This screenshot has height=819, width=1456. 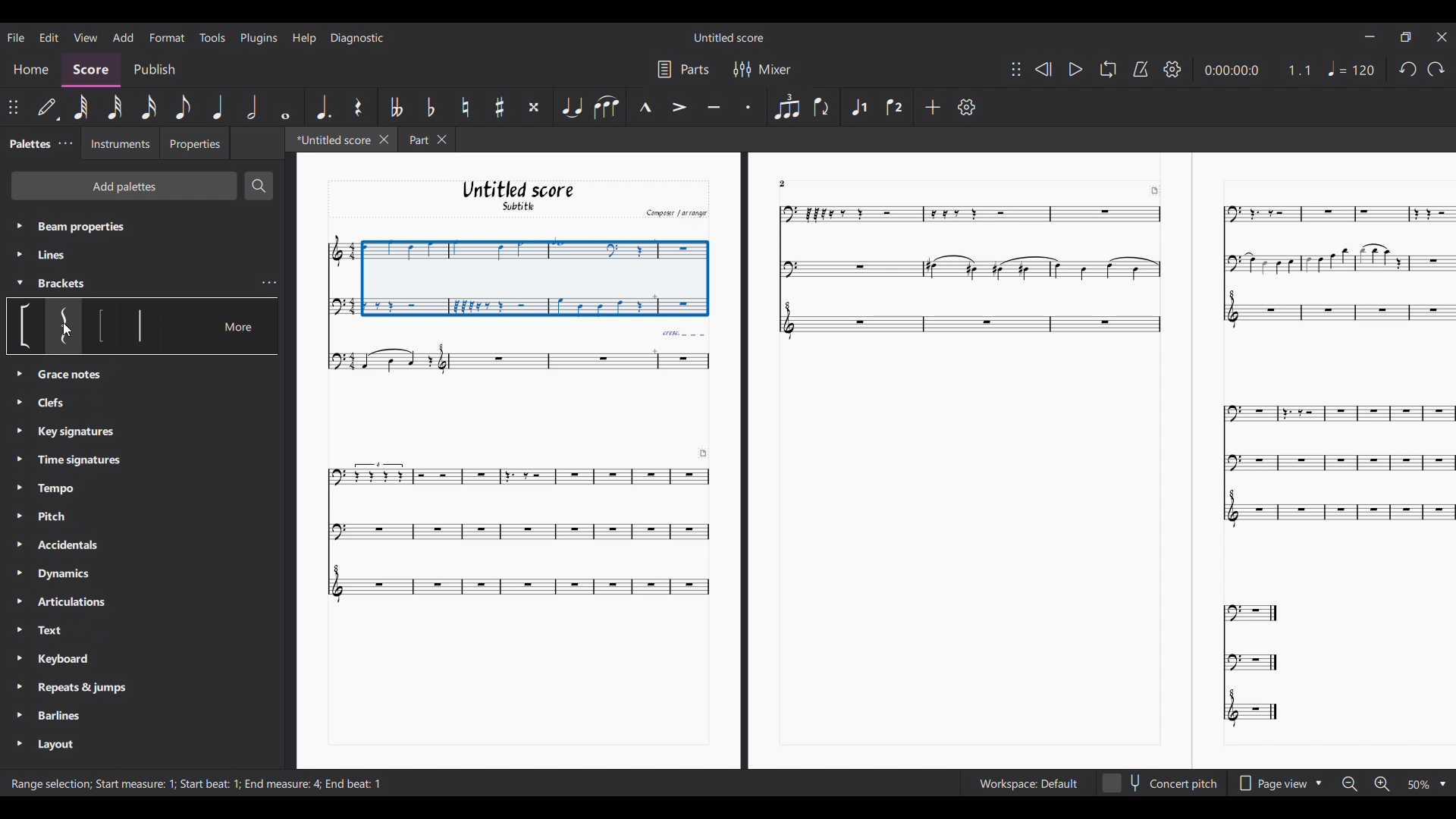 I want to click on , so click(x=1247, y=707).